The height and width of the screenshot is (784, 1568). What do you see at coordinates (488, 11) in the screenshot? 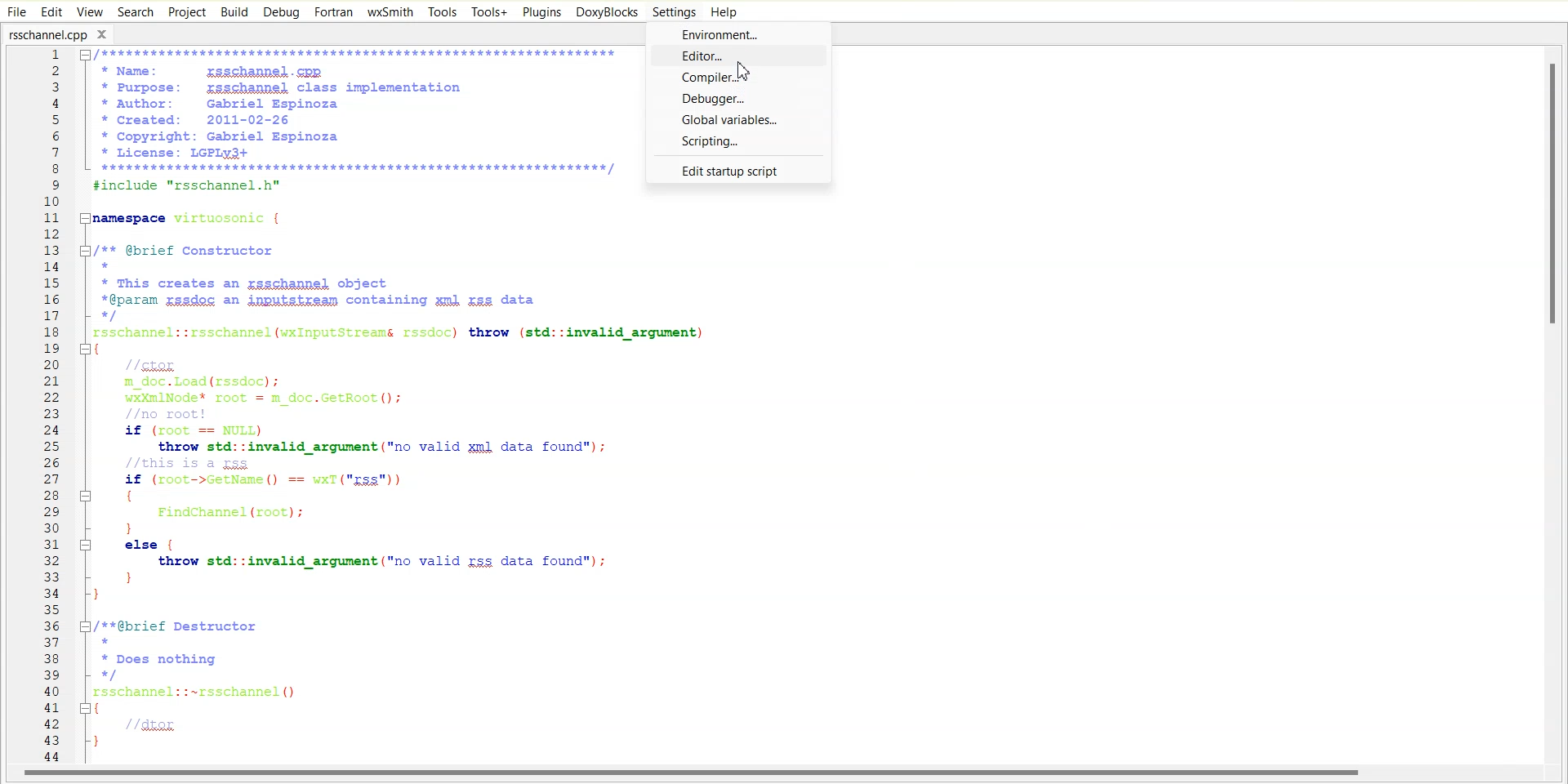
I see `Tools+` at bounding box center [488, 11].